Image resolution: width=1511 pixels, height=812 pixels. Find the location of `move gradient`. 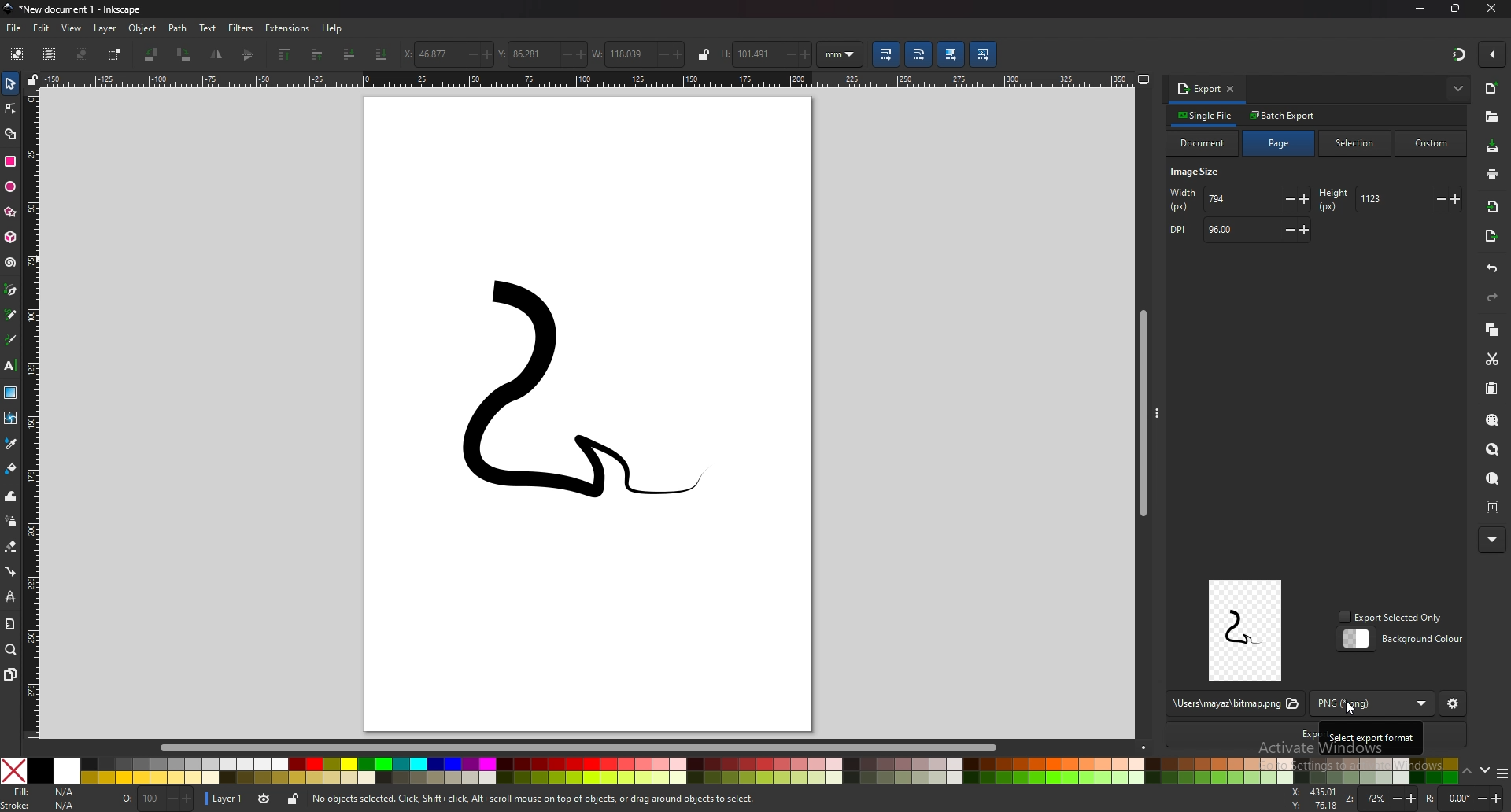

move gradient is located at coordinates (951, 55).